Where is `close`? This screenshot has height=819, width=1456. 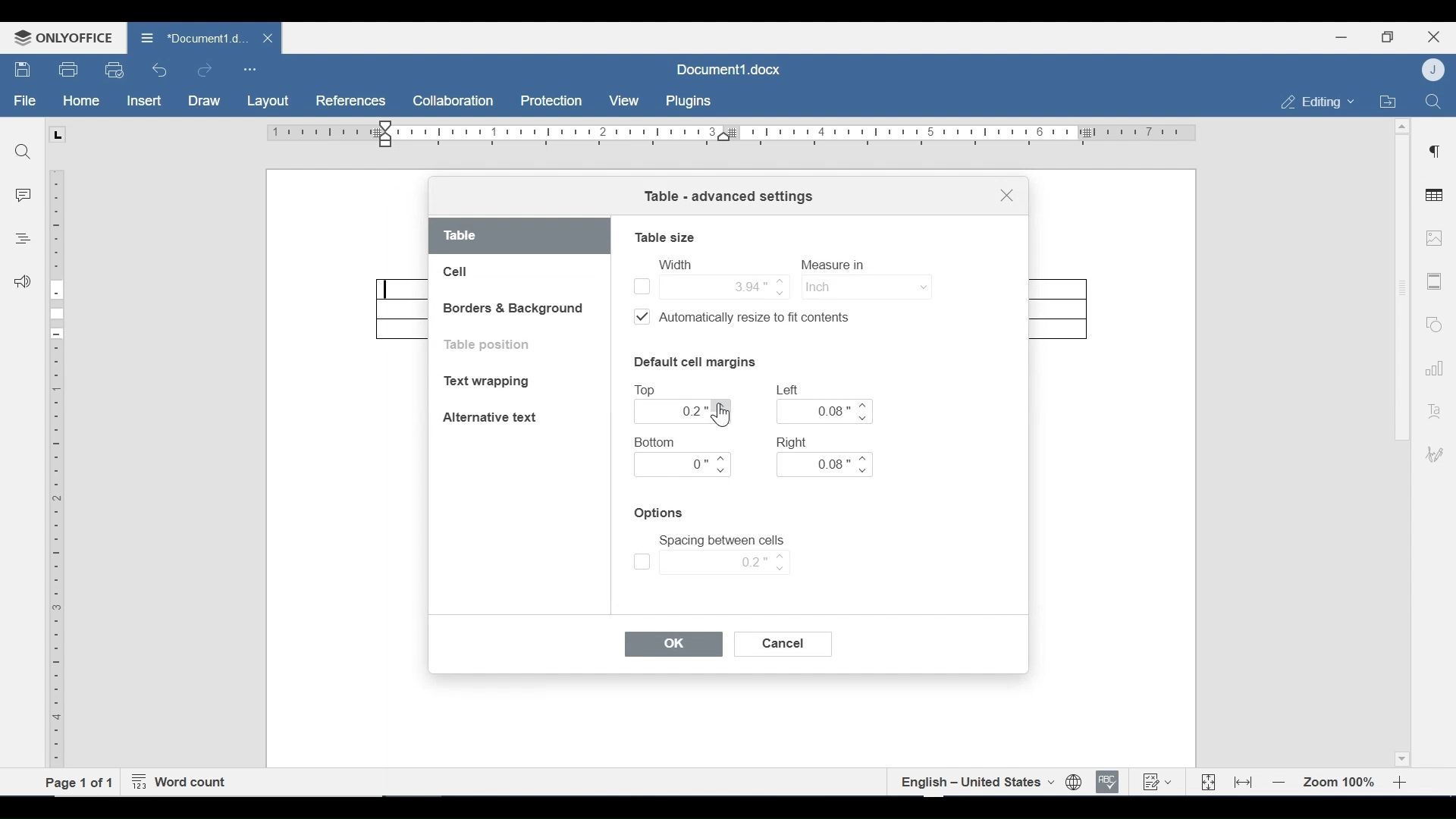
close is located at coordinates (270, 37).